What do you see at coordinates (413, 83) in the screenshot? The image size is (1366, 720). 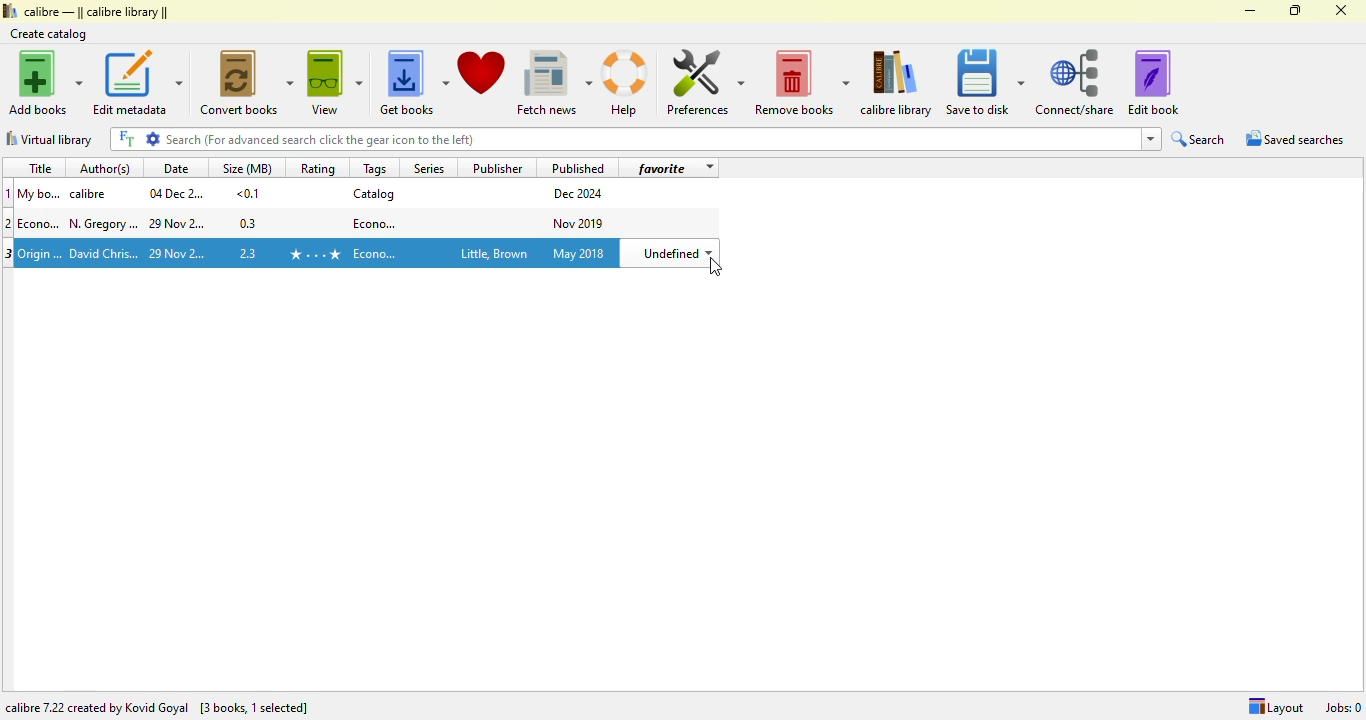 I see `get books` at bounding box center [413, 83].